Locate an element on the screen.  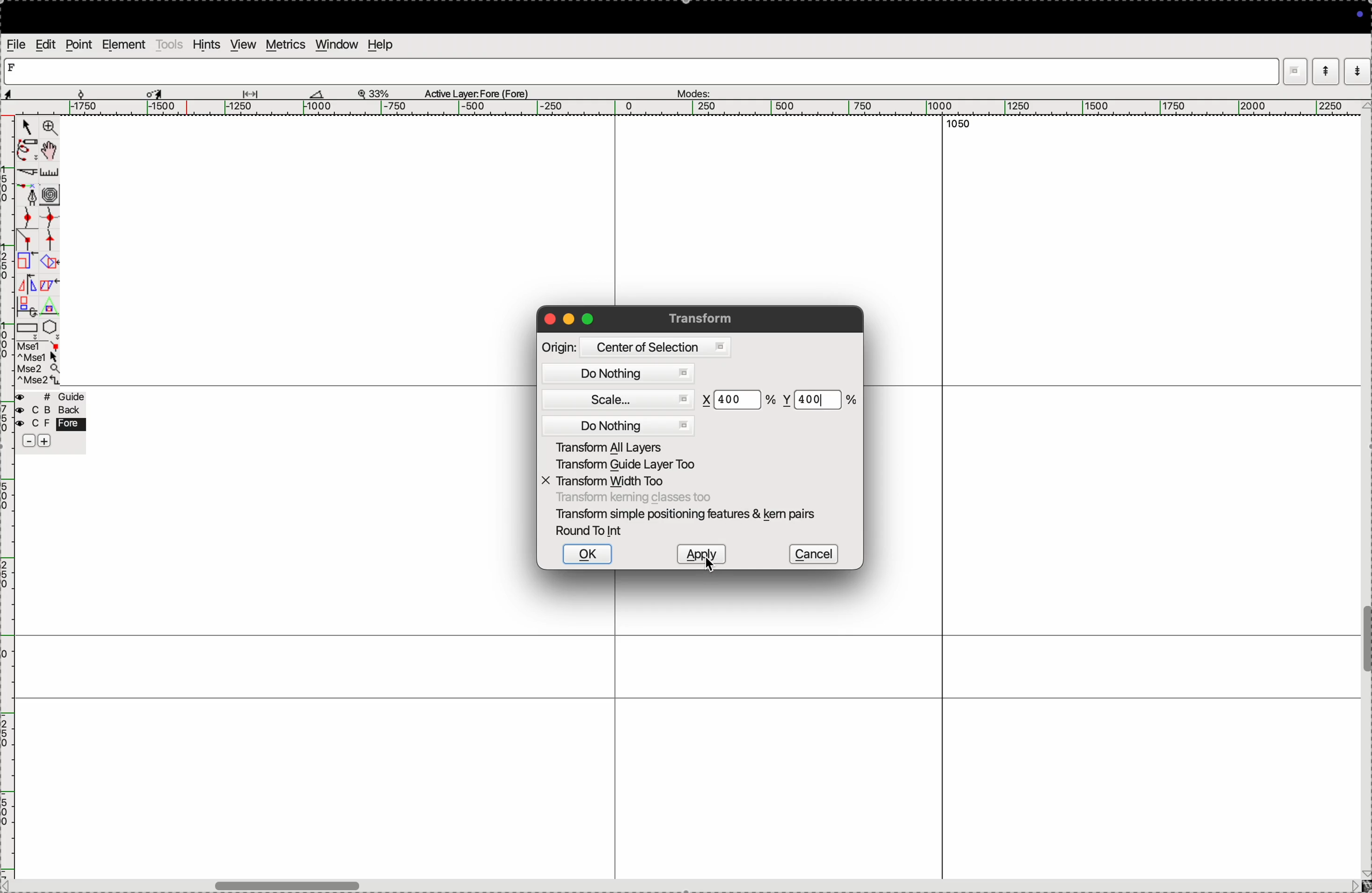
fore is located at coordinates (52, 425).